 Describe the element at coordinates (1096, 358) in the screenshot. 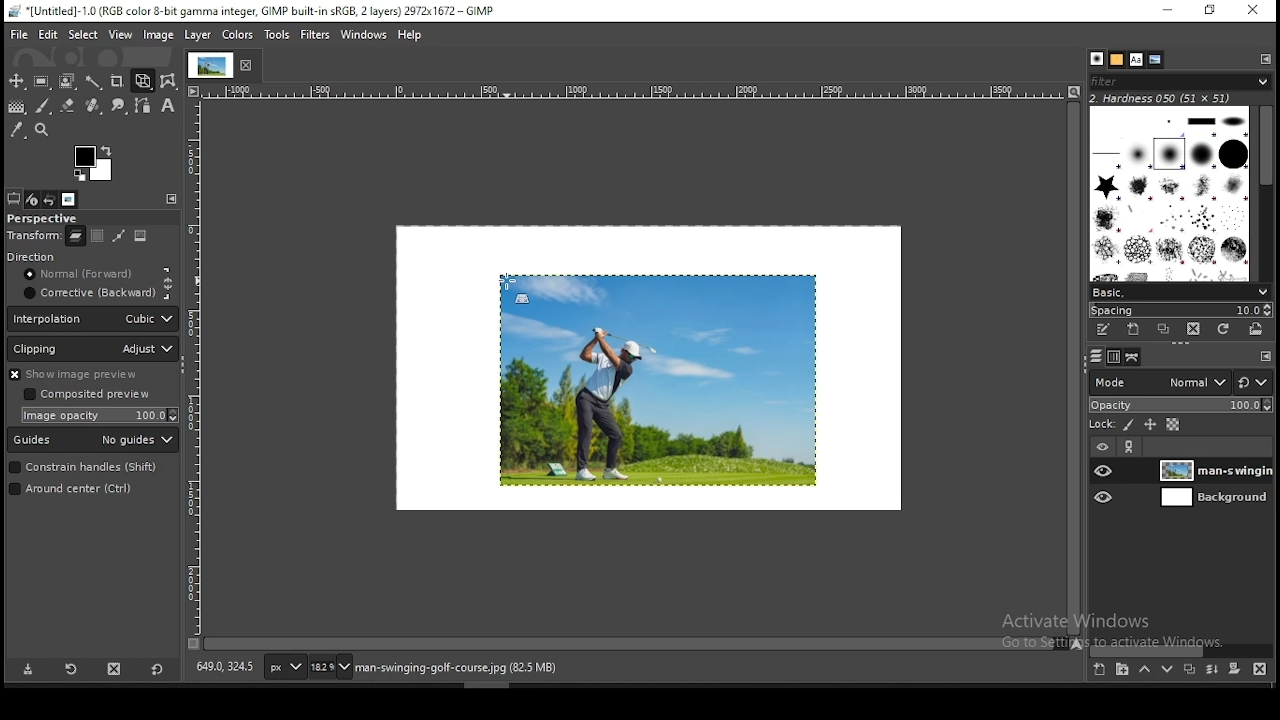

I see `layers` at that location.